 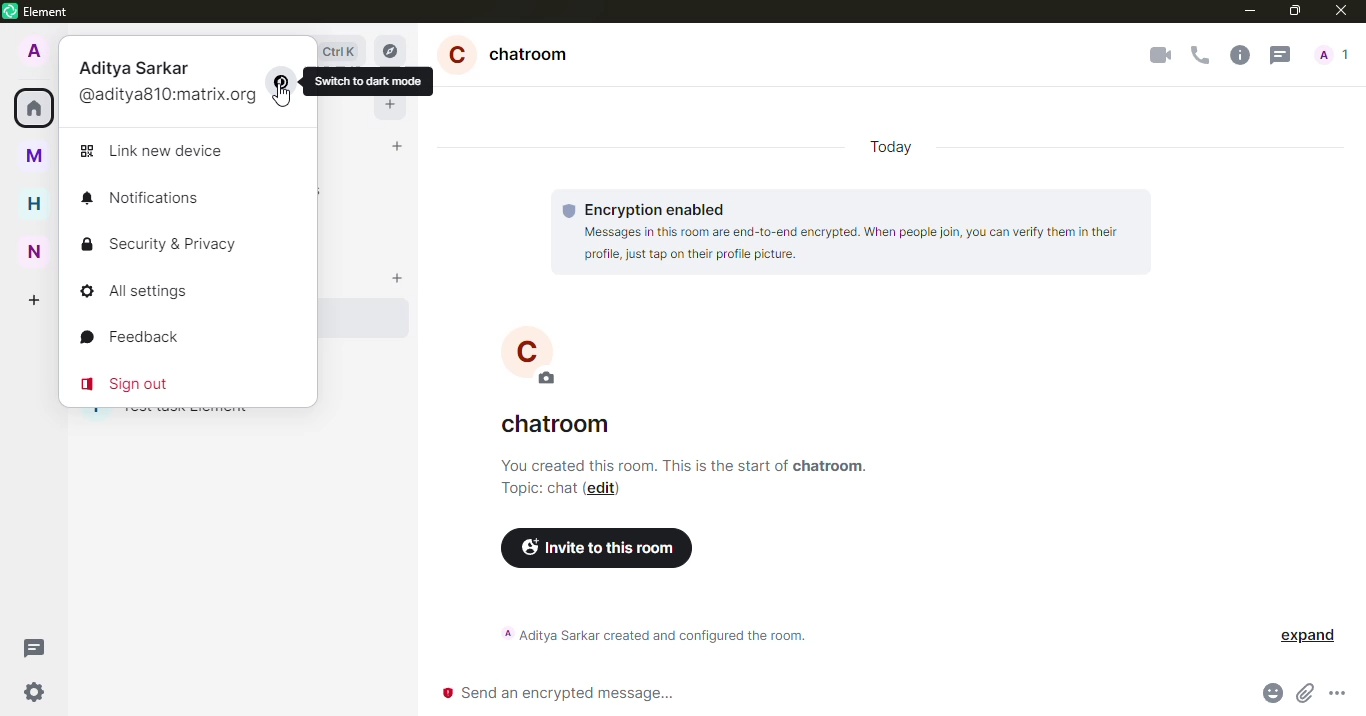 I want to click on C, so click(x=540, y=356).